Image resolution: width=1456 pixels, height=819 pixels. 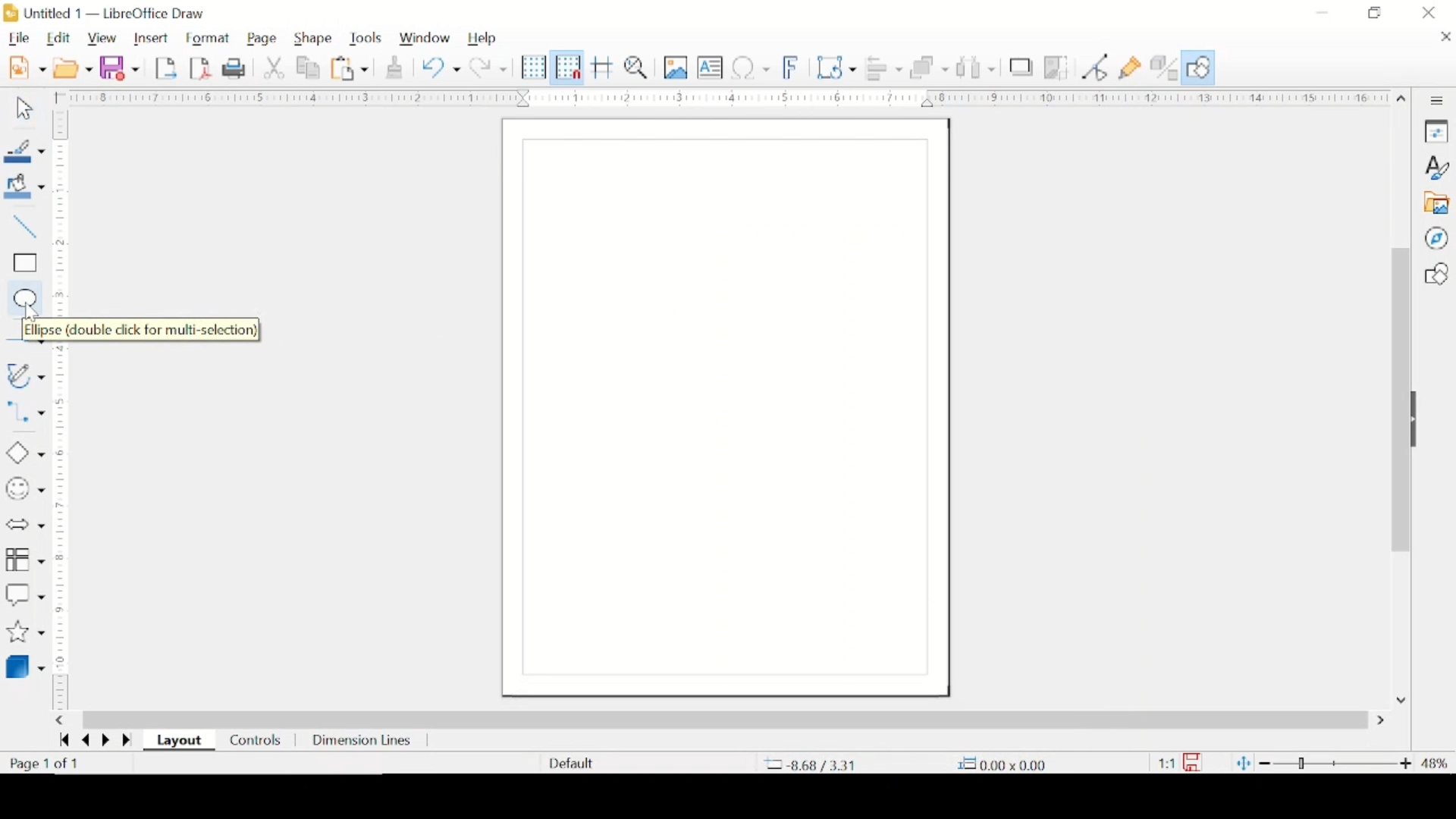 What do you see at coordinates (1421, 420) in the screenshot?
I see `drag handle` at bounding box center [1421, 420].